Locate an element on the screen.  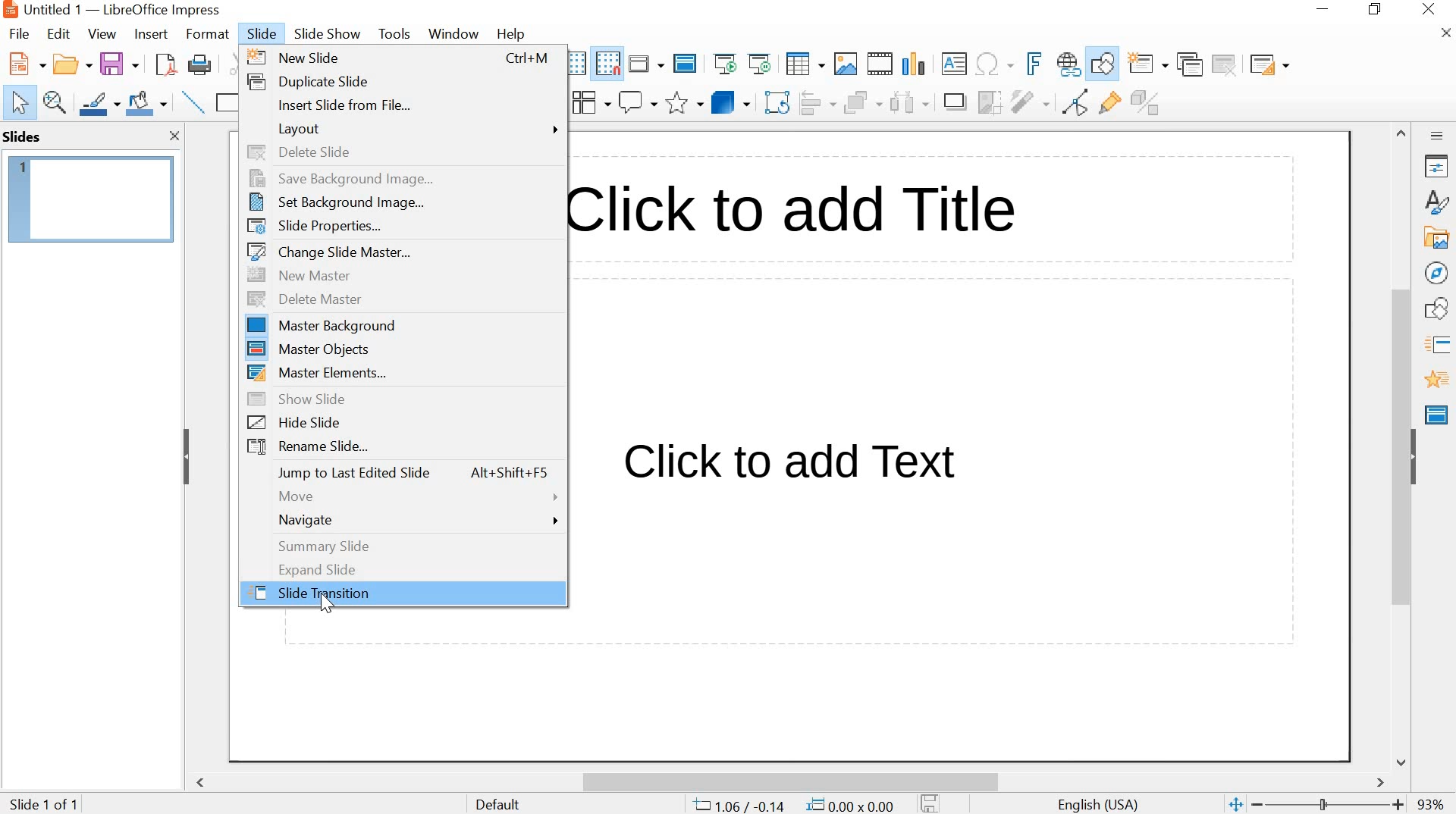
set background image is located at coordinates (398, 201).